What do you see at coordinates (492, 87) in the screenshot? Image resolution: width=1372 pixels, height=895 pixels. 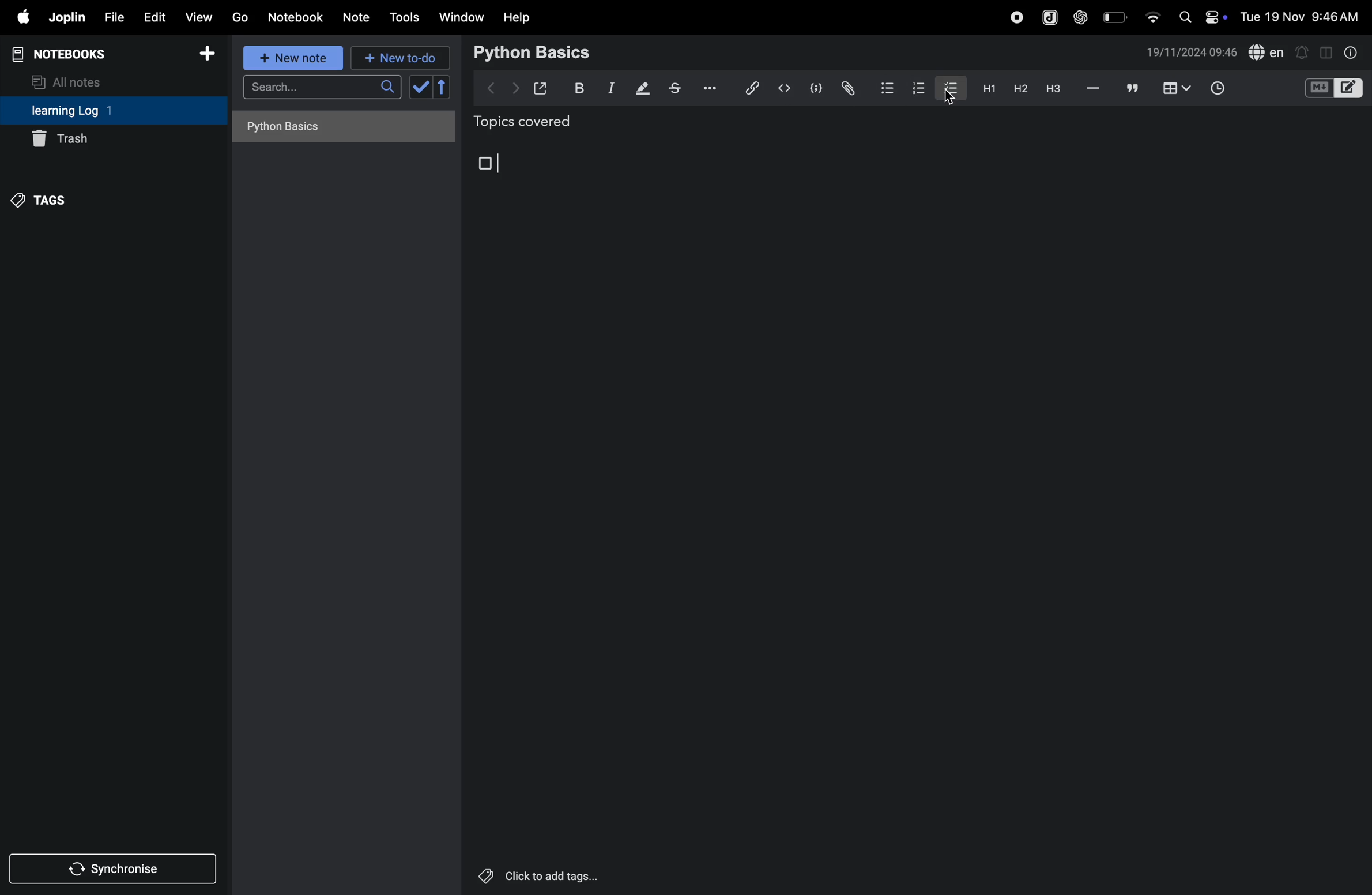 I see `backward` at bounding box center [492, 87].